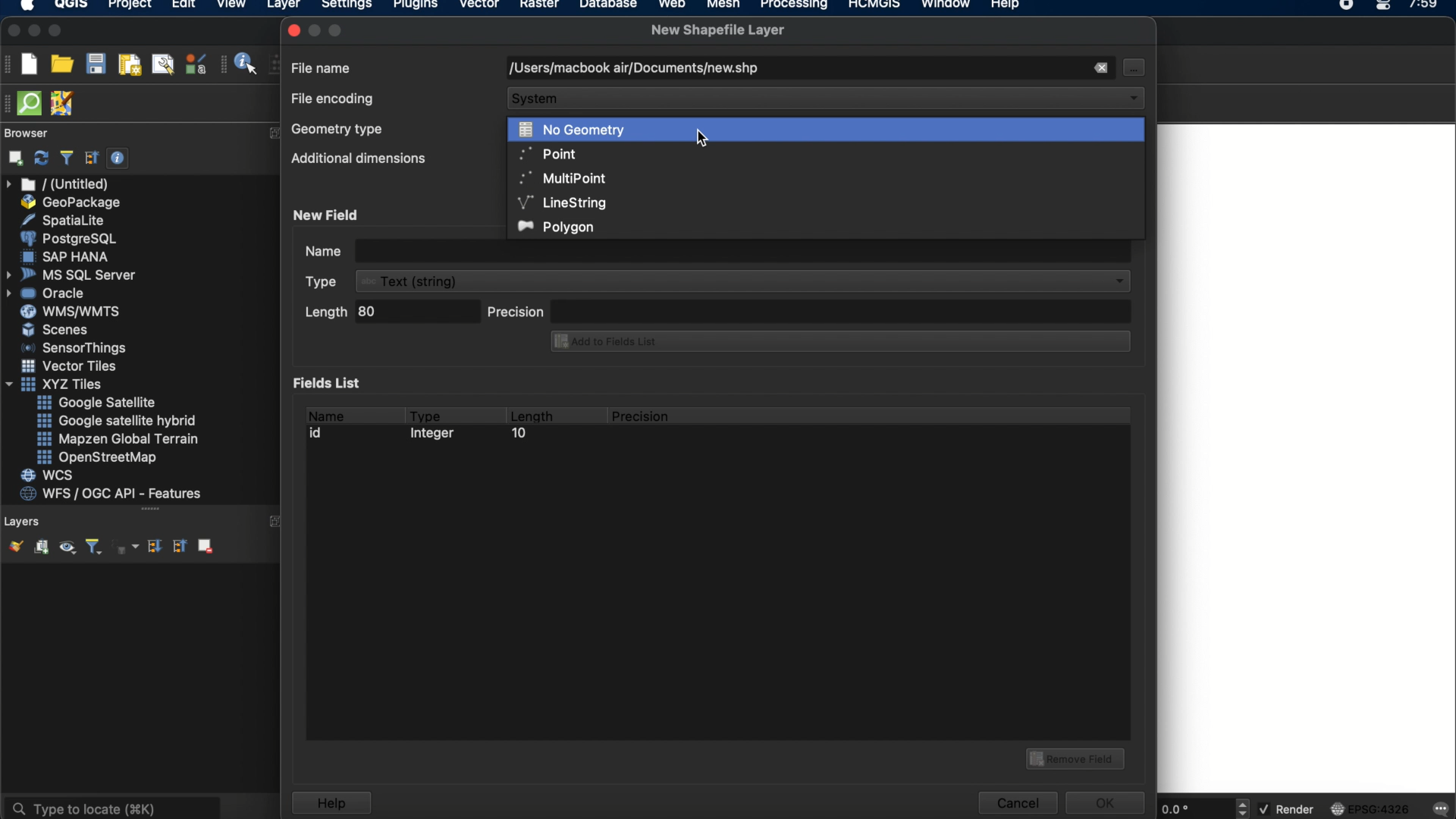 The height and width of the screenshot is (819, 1456). I want to click on type to locate, so click(111, 807).